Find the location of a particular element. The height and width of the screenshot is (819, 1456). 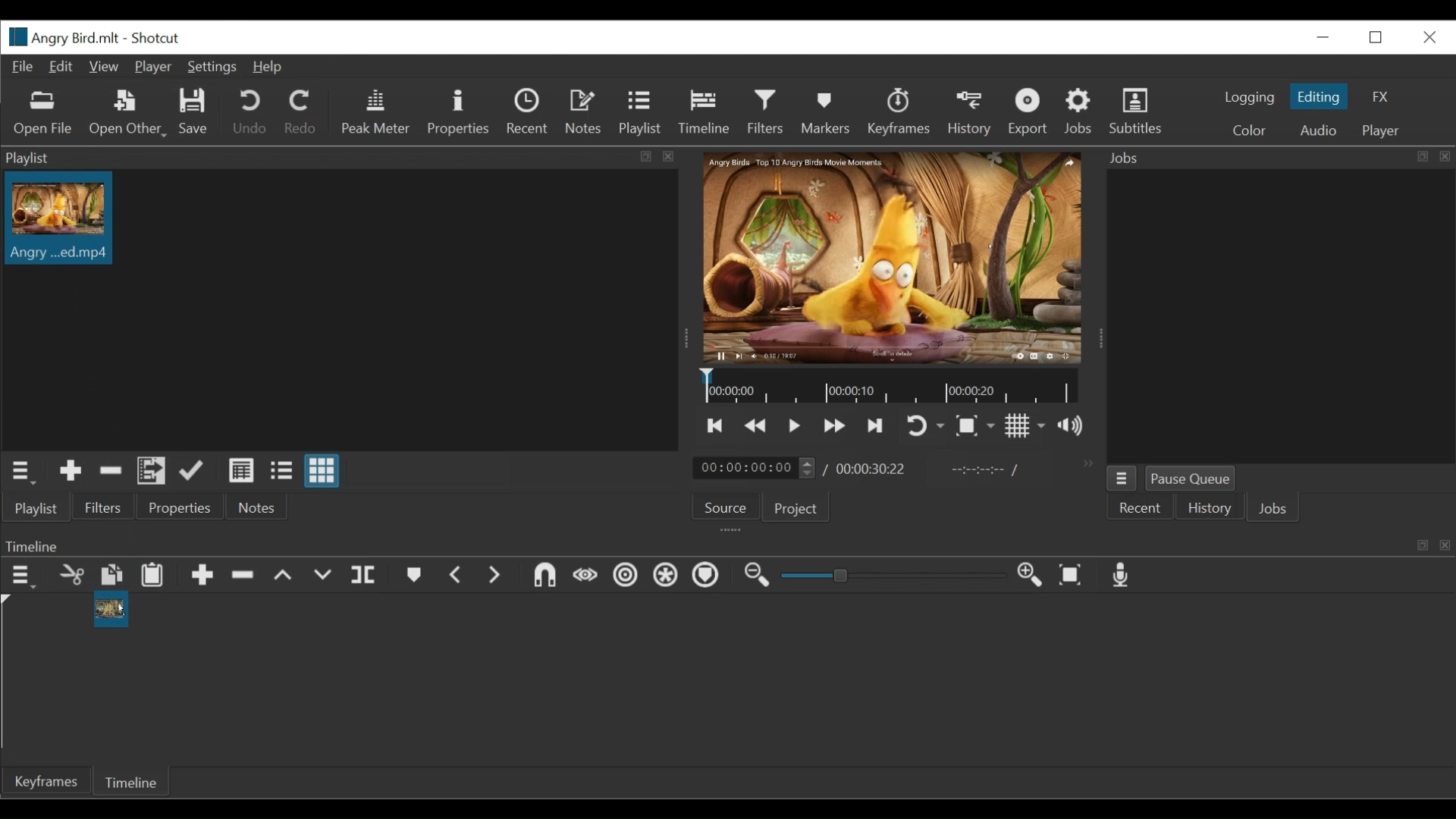

Notes is located at coordinates (585, 113).